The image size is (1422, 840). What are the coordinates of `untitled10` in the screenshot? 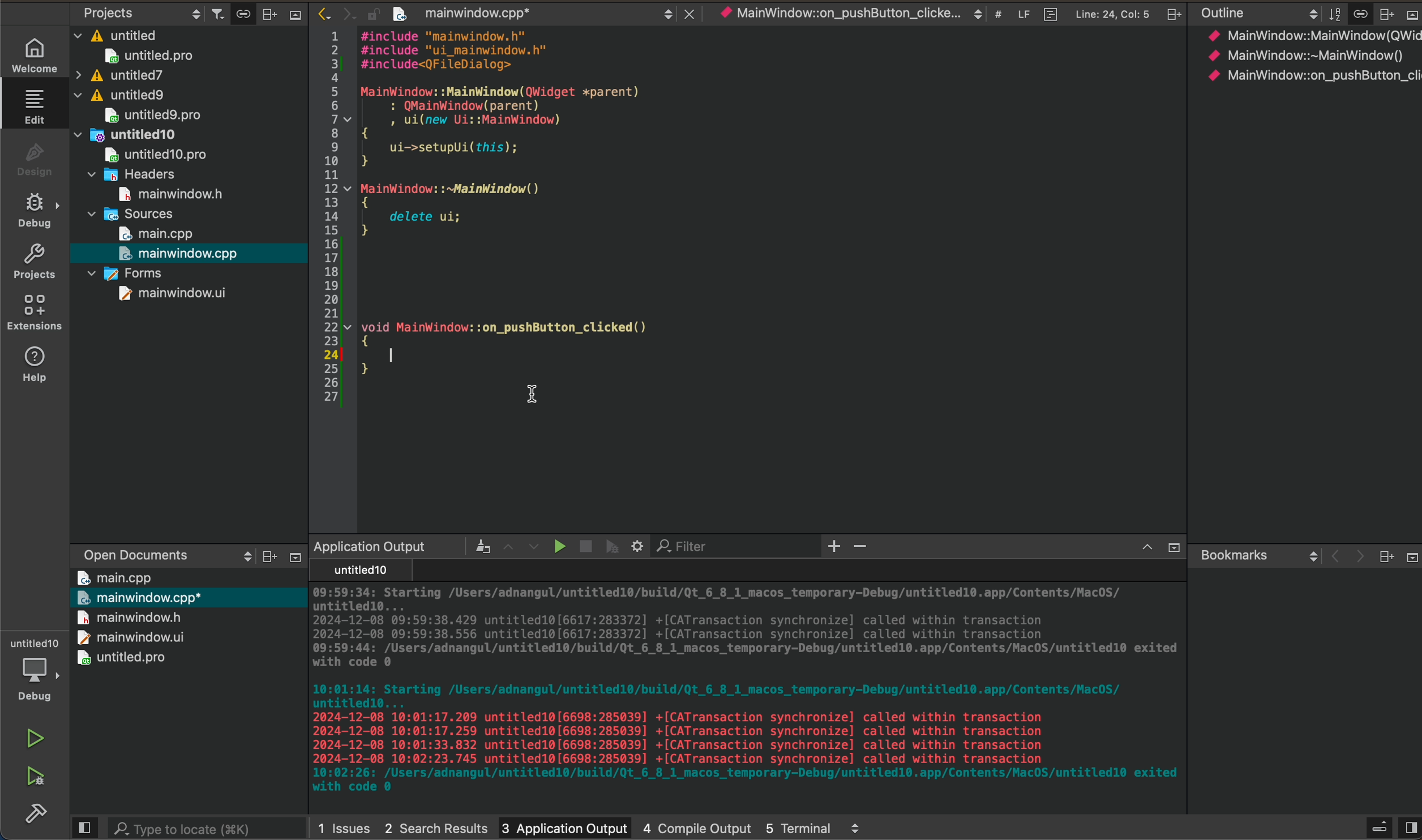 It's located at (130, 133).